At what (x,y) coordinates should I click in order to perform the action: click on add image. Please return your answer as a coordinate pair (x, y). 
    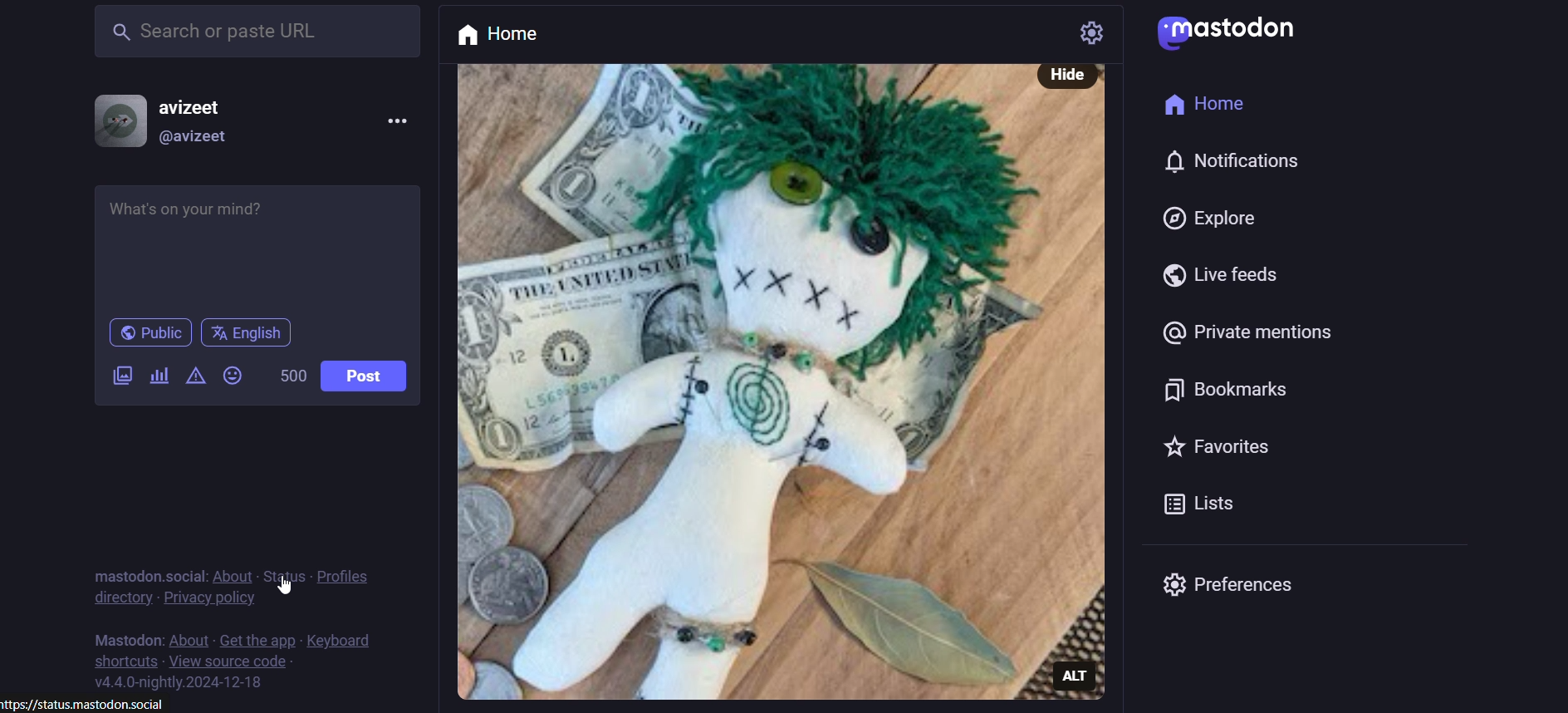
    Looking at the image, I should click on (117, 381).